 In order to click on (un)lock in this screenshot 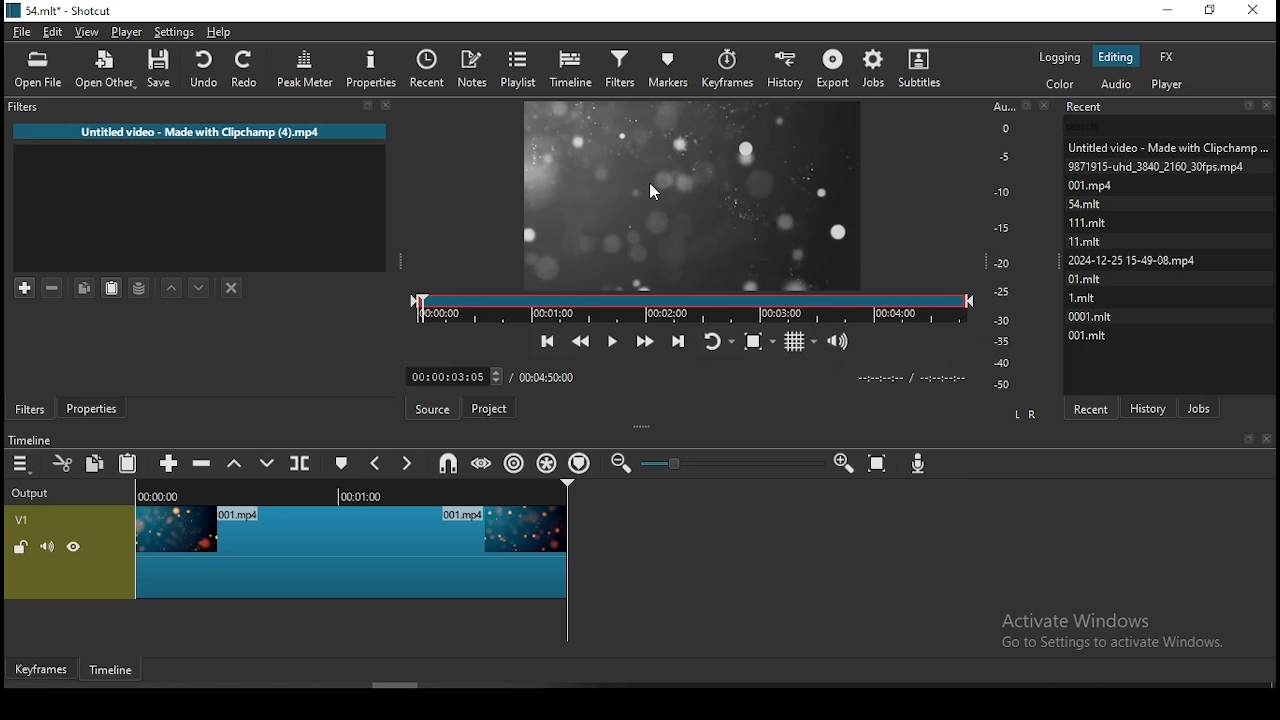, I will do `click(21, 548)`.